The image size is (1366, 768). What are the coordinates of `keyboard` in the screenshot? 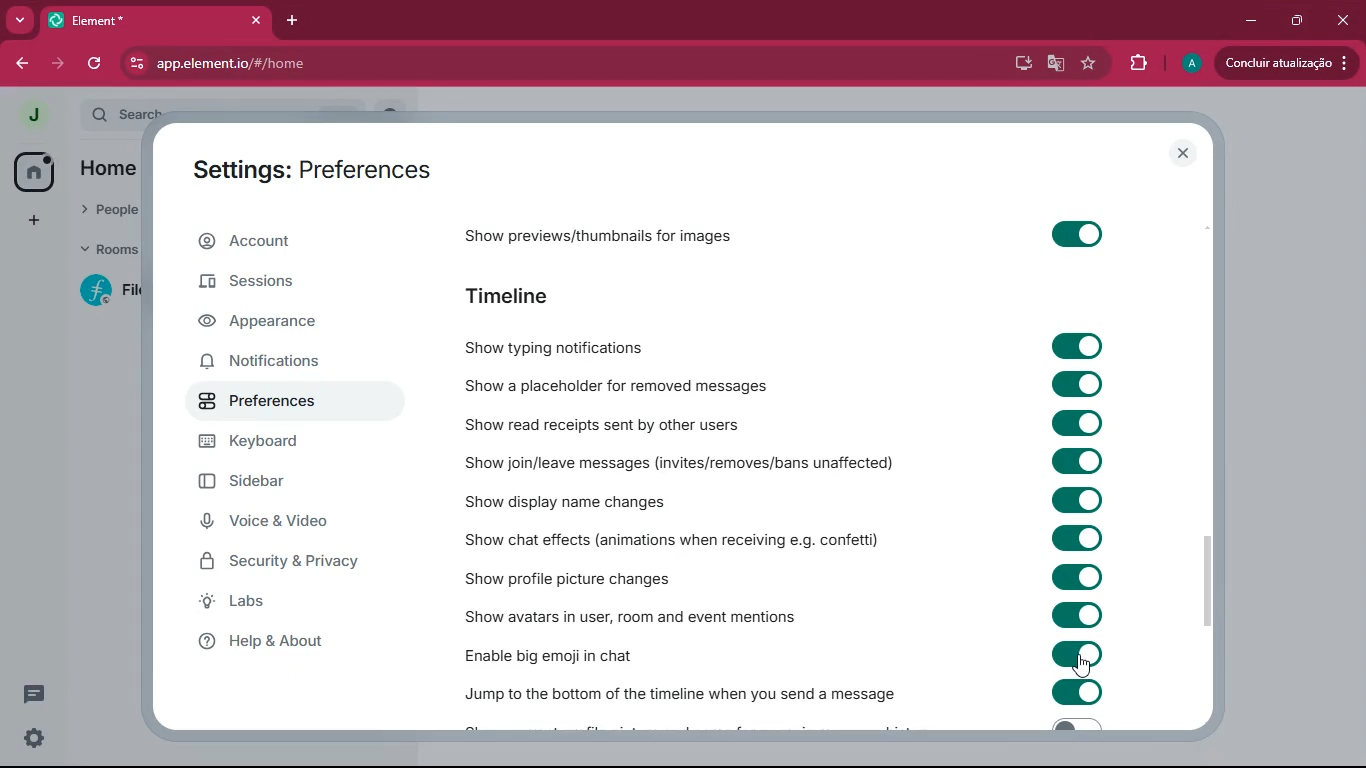 It's located at (277, 445).